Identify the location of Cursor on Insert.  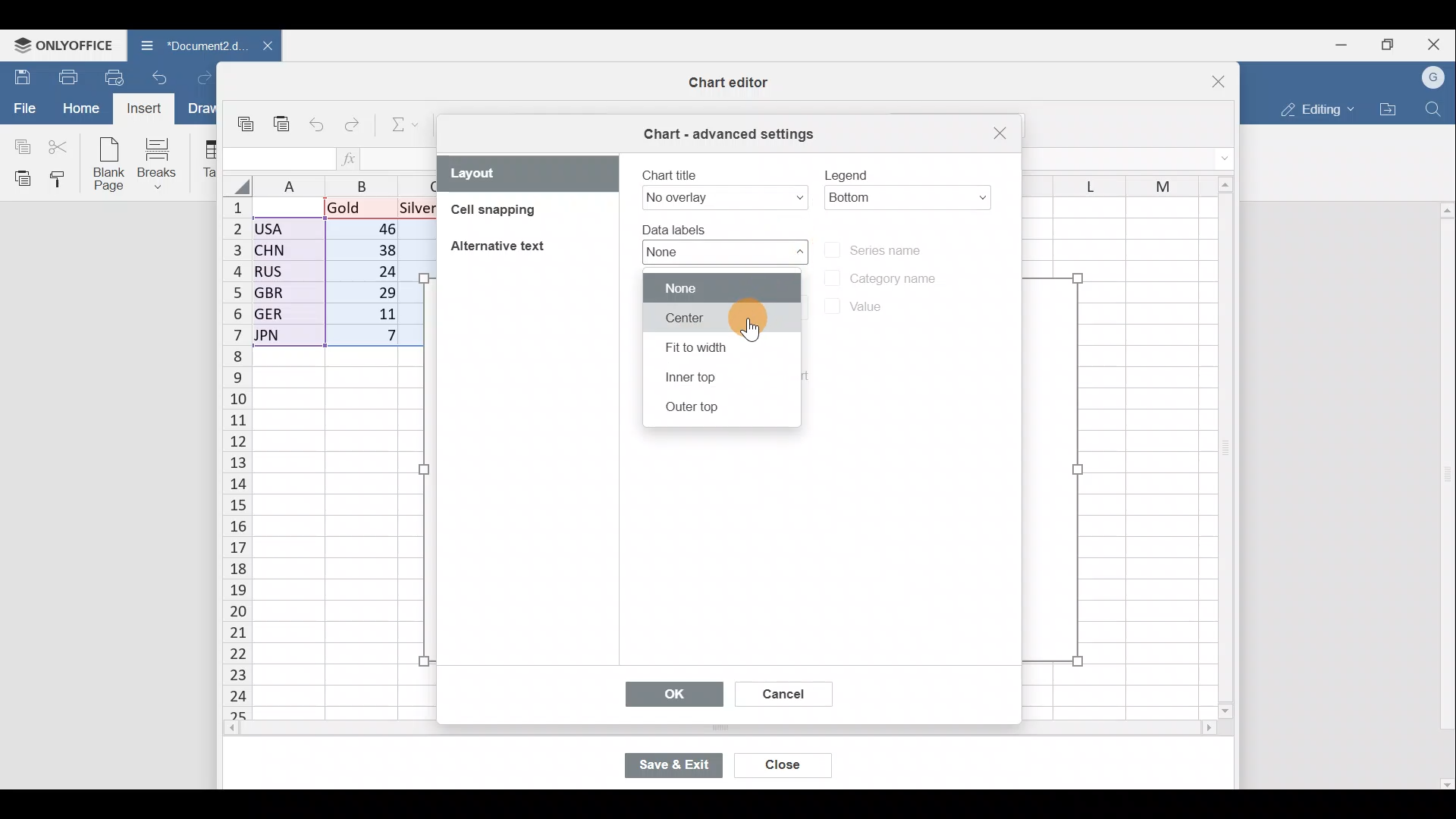
(149, 108).